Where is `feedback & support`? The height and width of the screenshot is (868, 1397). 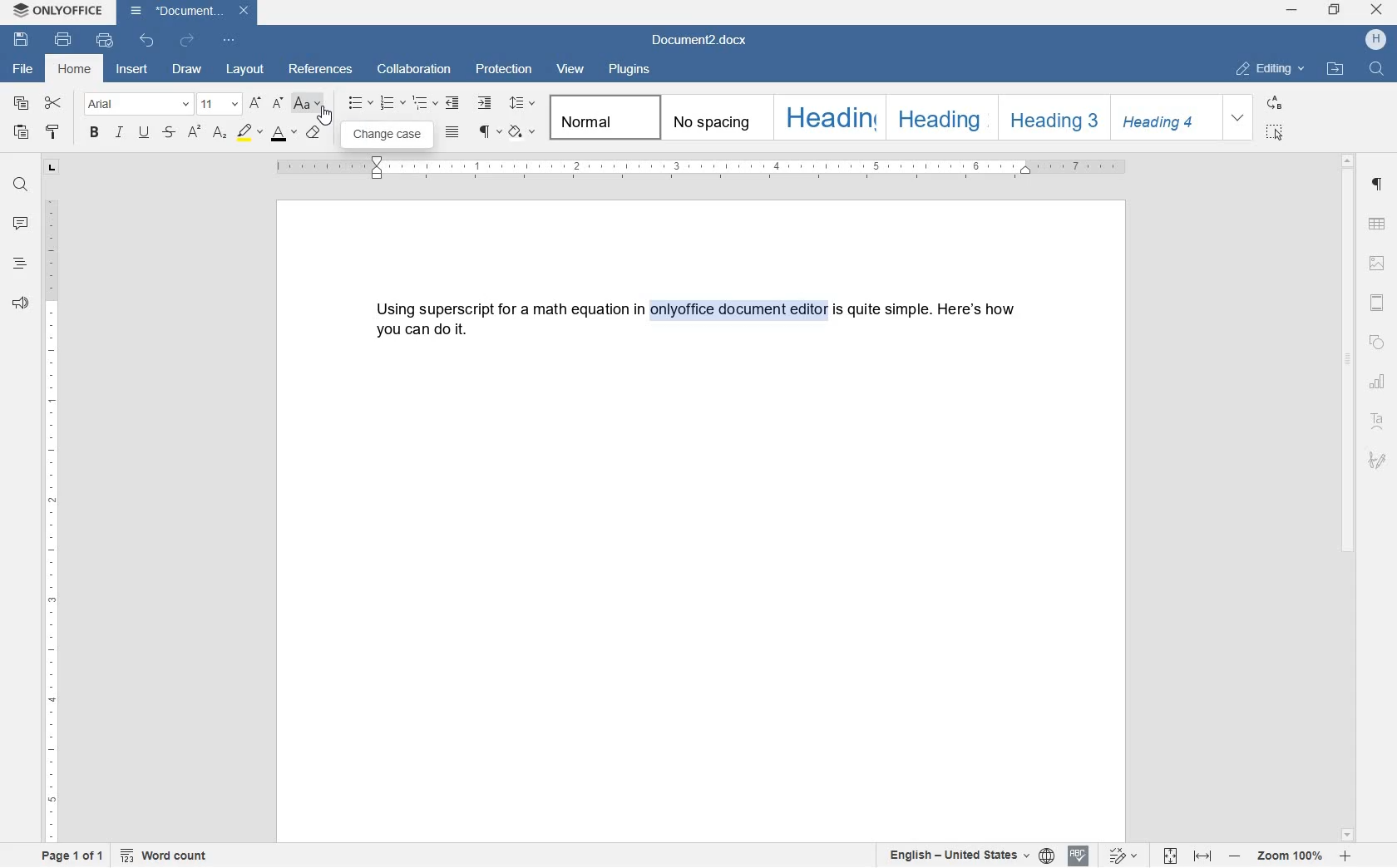
feedback & support is located at coordinates (21, 303).